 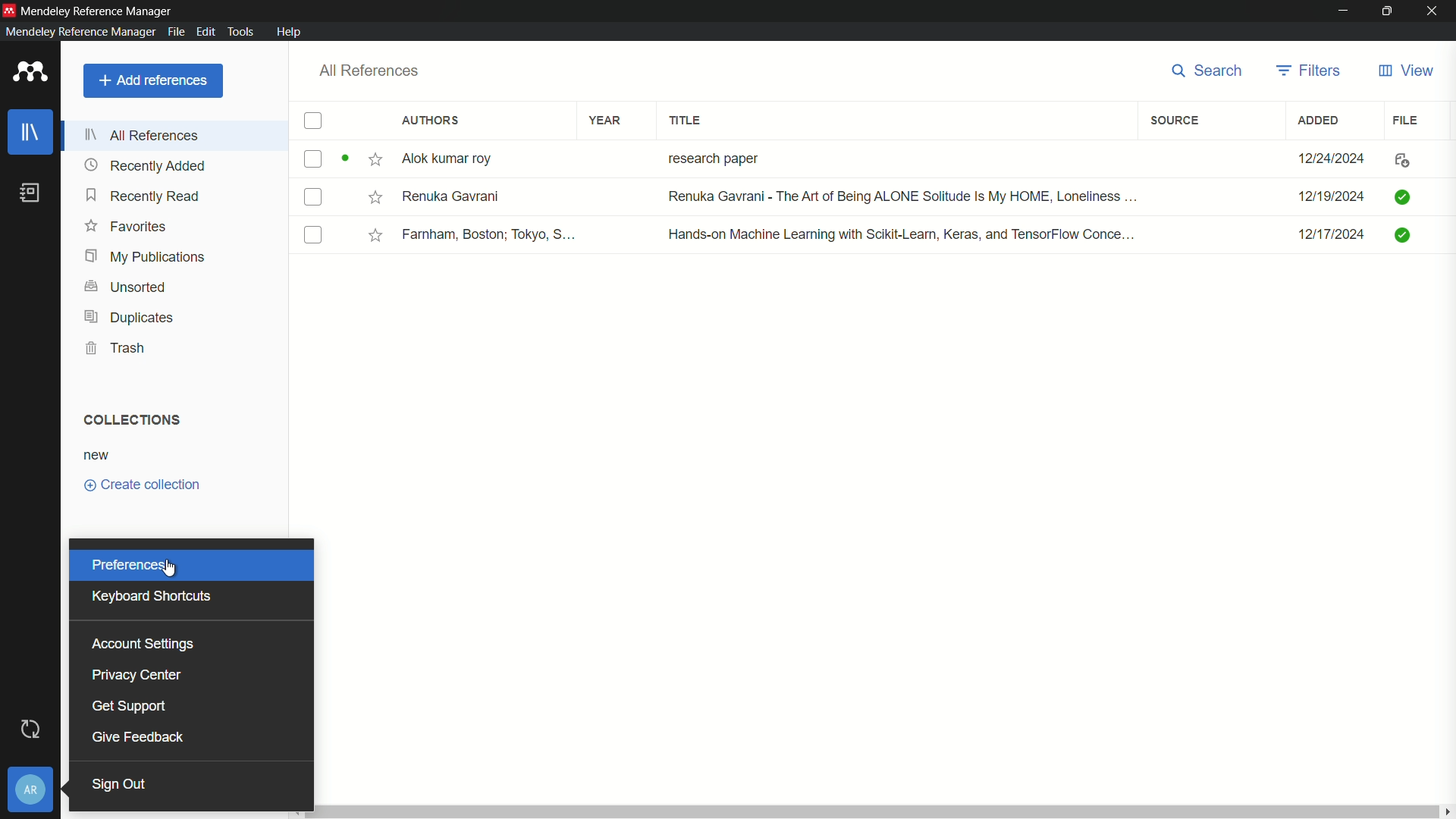 What do you see at coordinates (128, 318) in the screenshot?
I see `duplicates` at bounding box center [128, 318].